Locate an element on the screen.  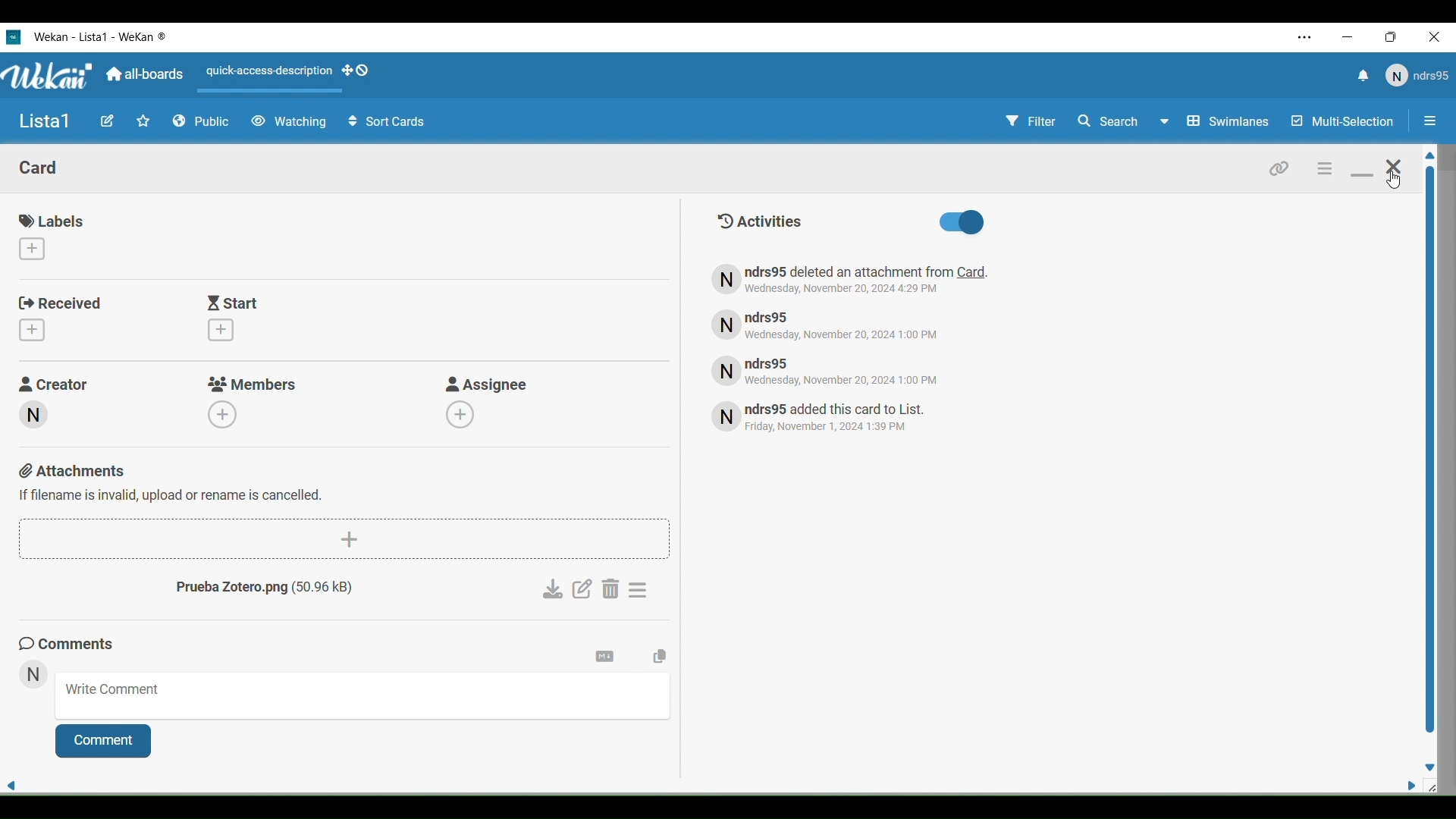
Attachments is located at coordinates (173, 482).